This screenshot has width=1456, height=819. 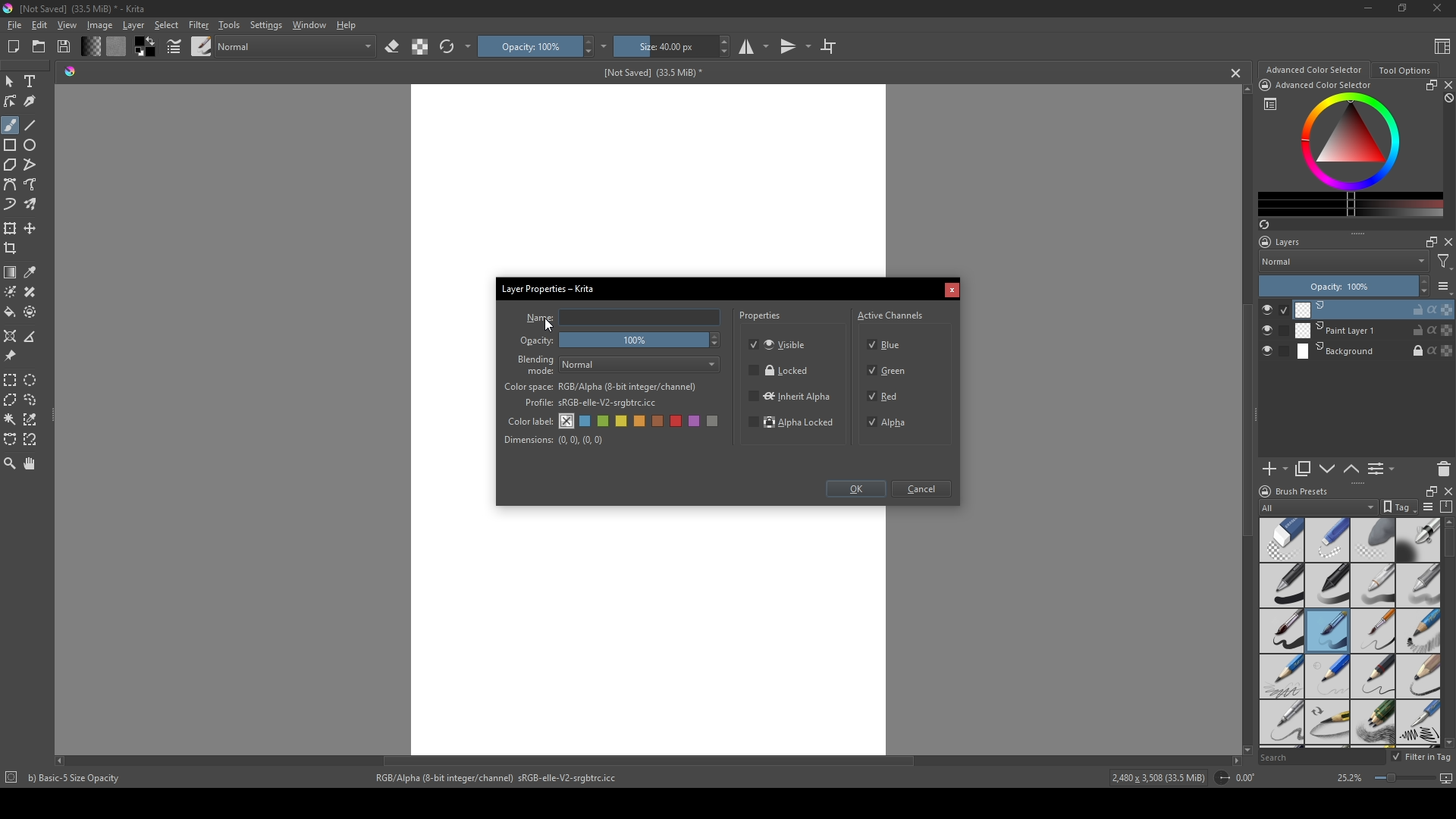 I want to click on resize, so click(x=1429, y=85).